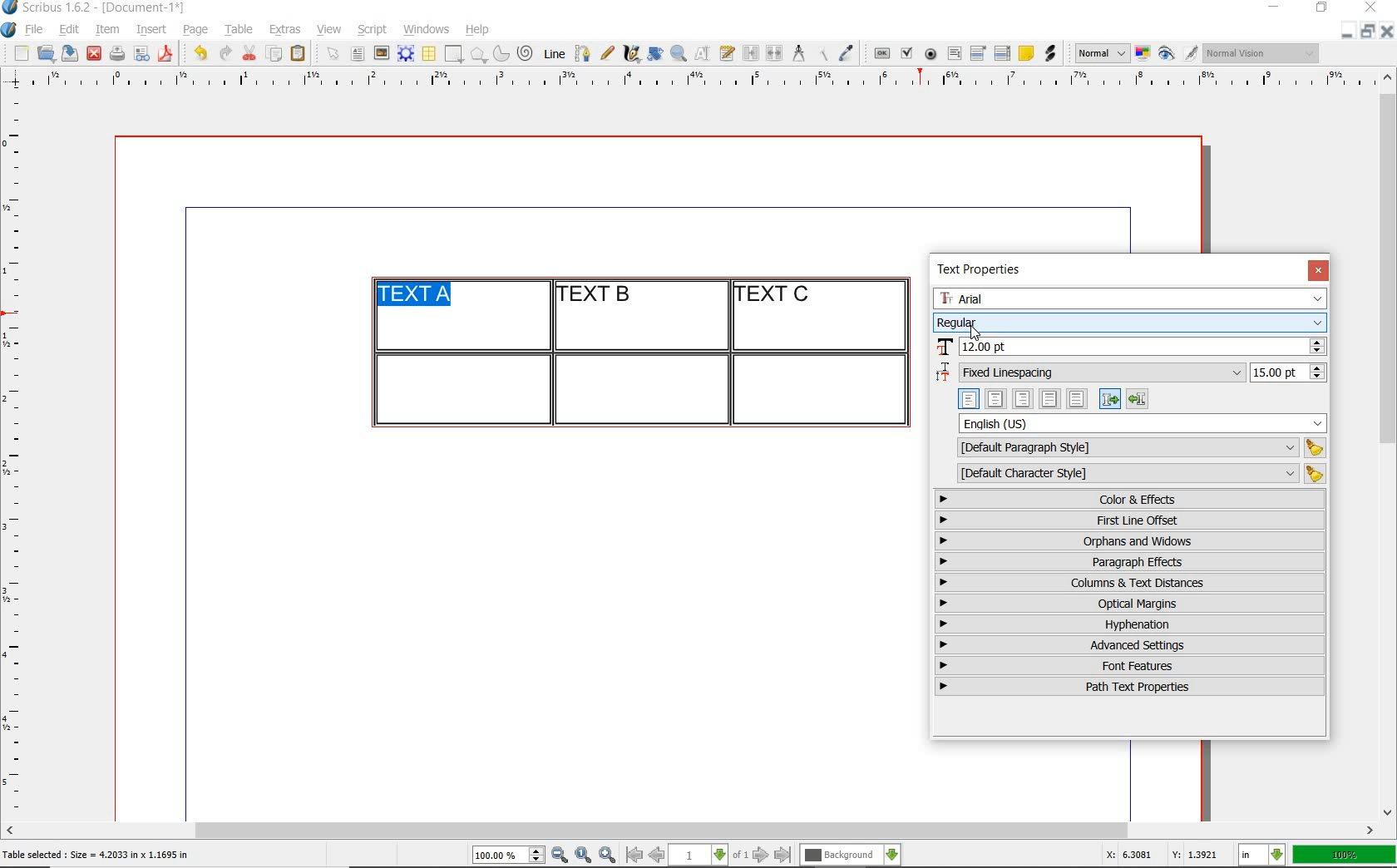  I want to click on table, so click(430, 54).